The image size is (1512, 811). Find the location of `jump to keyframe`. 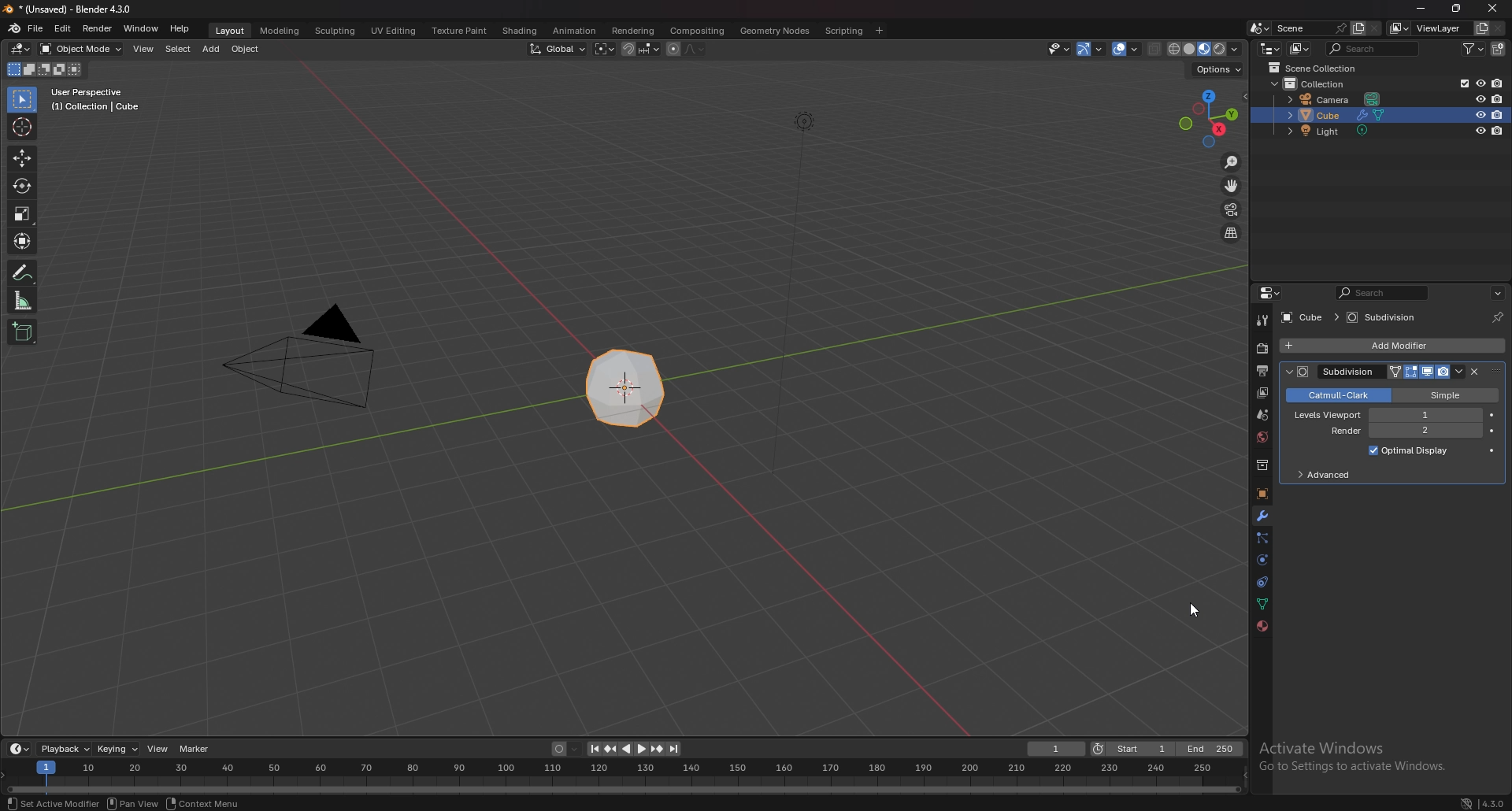

jump to keyframe is located at coordinates (610, 749).